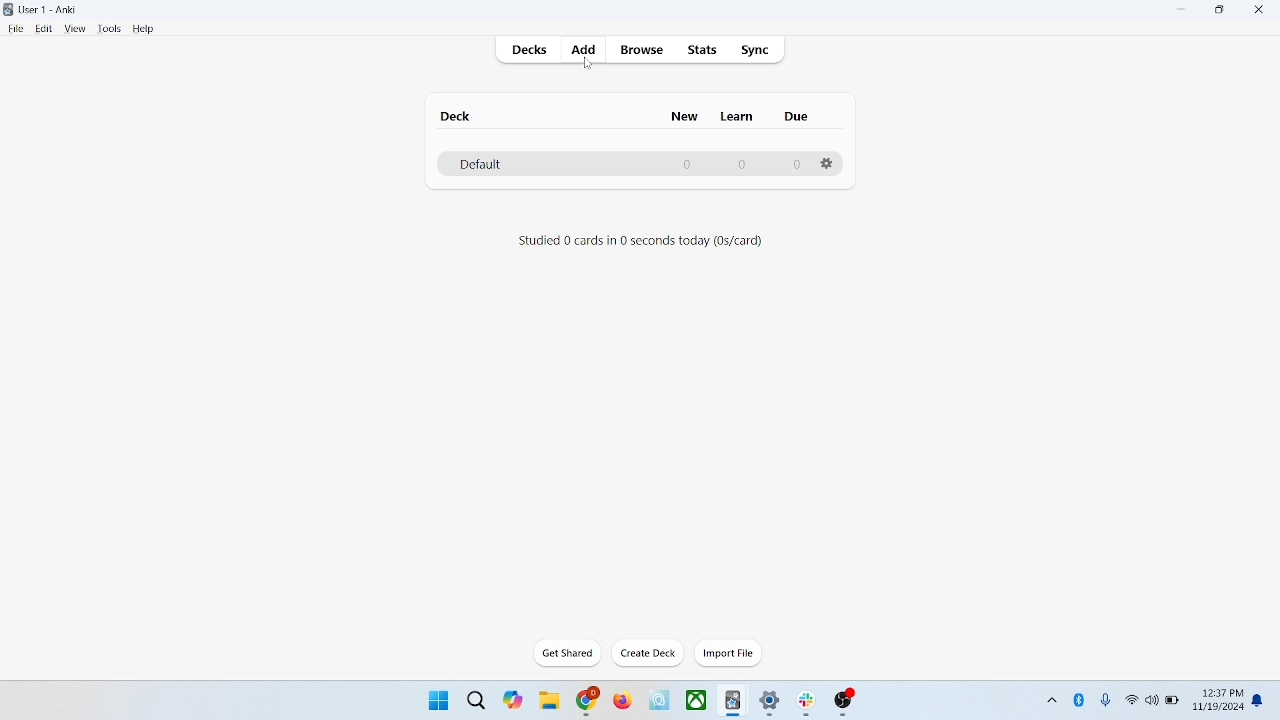  I want to click on browse, so click(640, 49).